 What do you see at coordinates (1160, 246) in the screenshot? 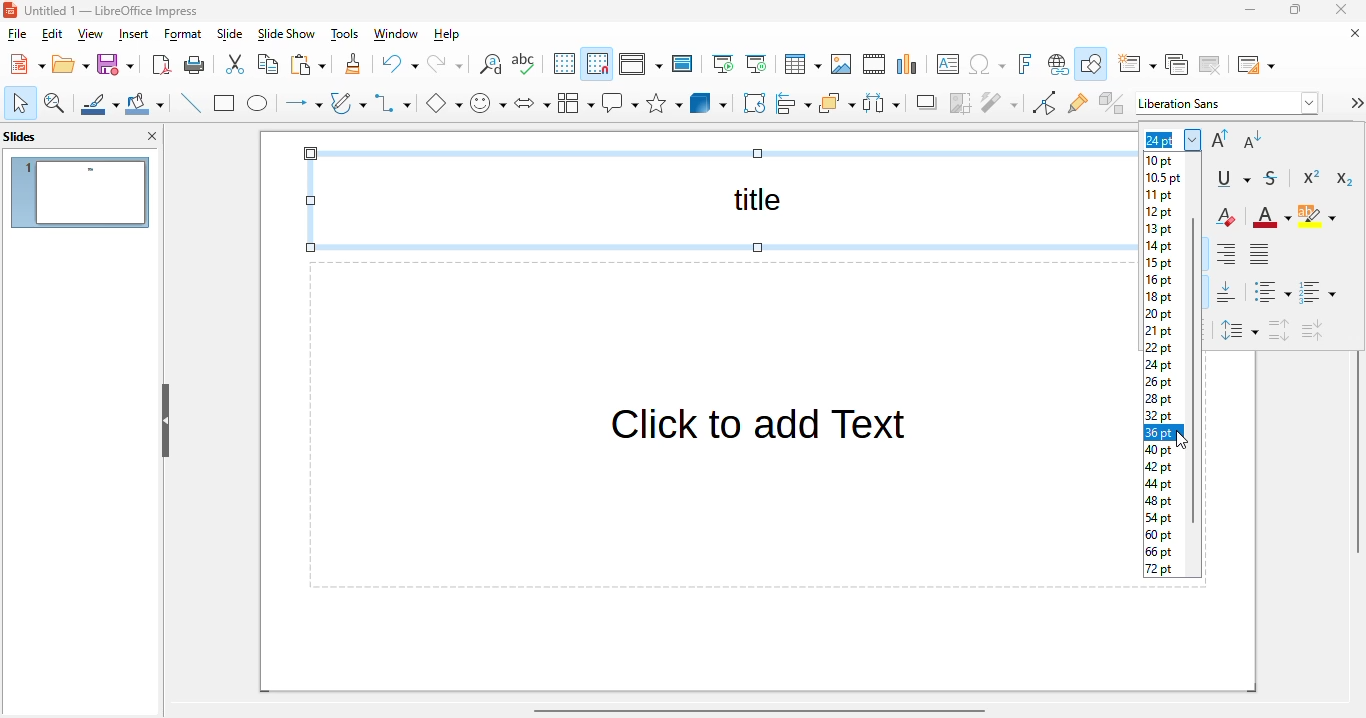
I see `14 pt` at bounding box center [1160, 246].